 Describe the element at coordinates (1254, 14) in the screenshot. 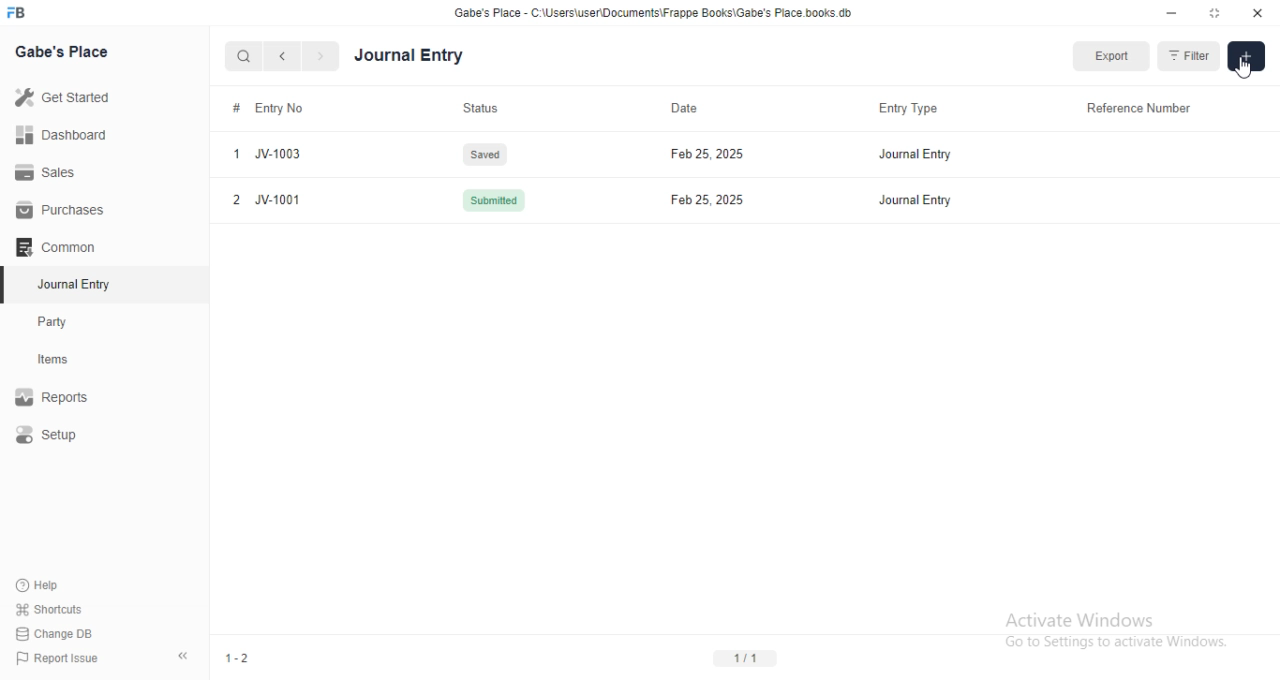

I see `Close` at that location.